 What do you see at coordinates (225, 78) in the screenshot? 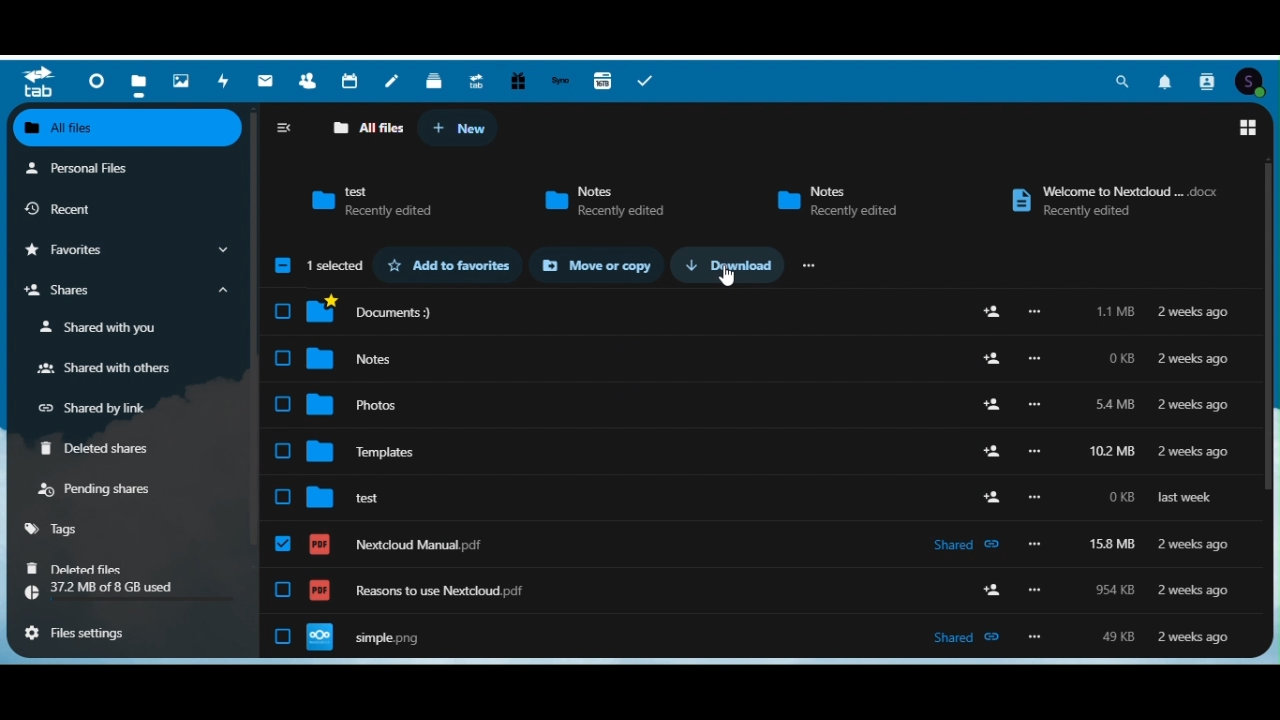
I see `Activity` at bounding box center [225, 78].